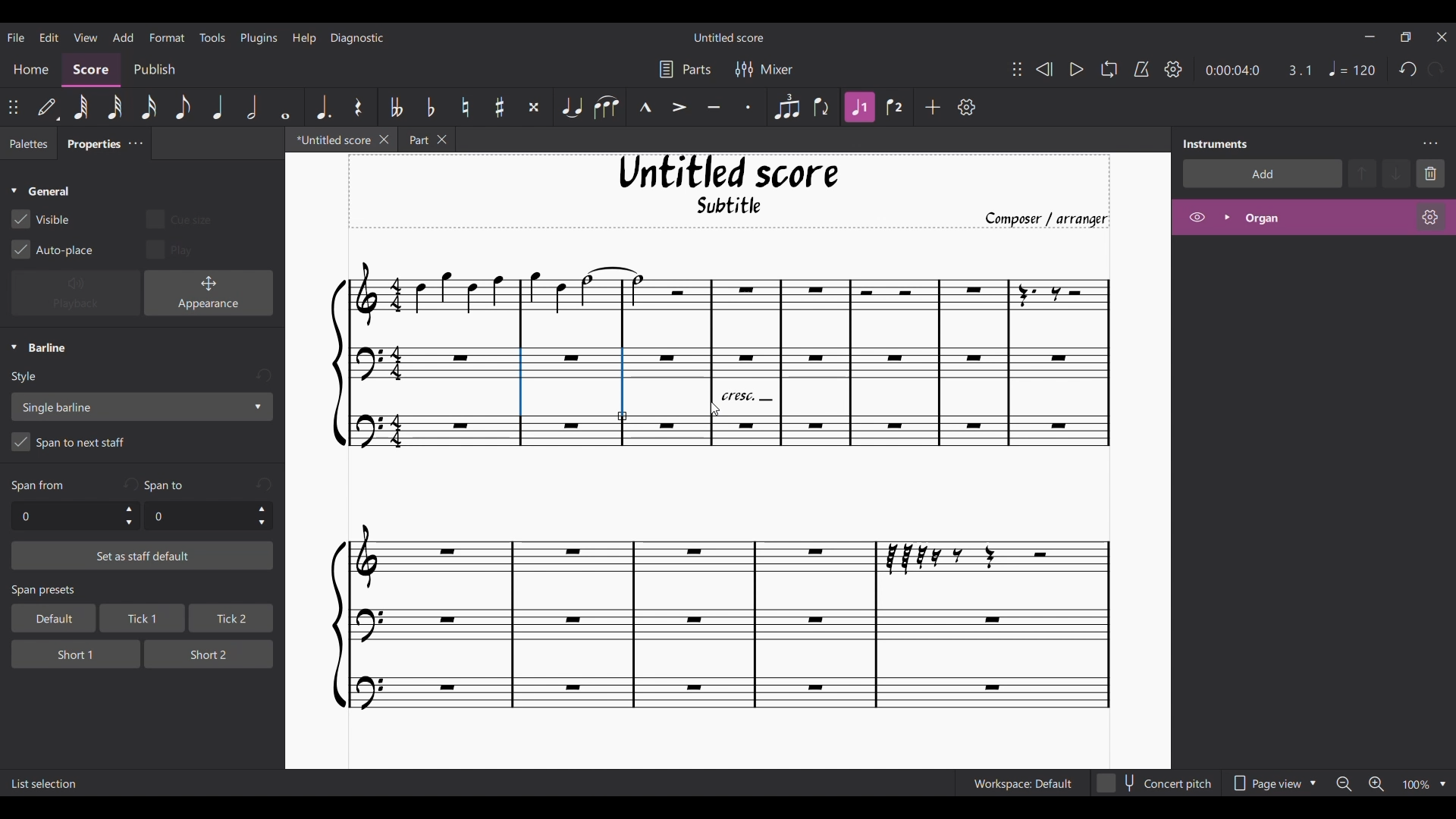  Describe the element at coordinates (154, 70) in the screenshot. I see `Publish section` at that location.